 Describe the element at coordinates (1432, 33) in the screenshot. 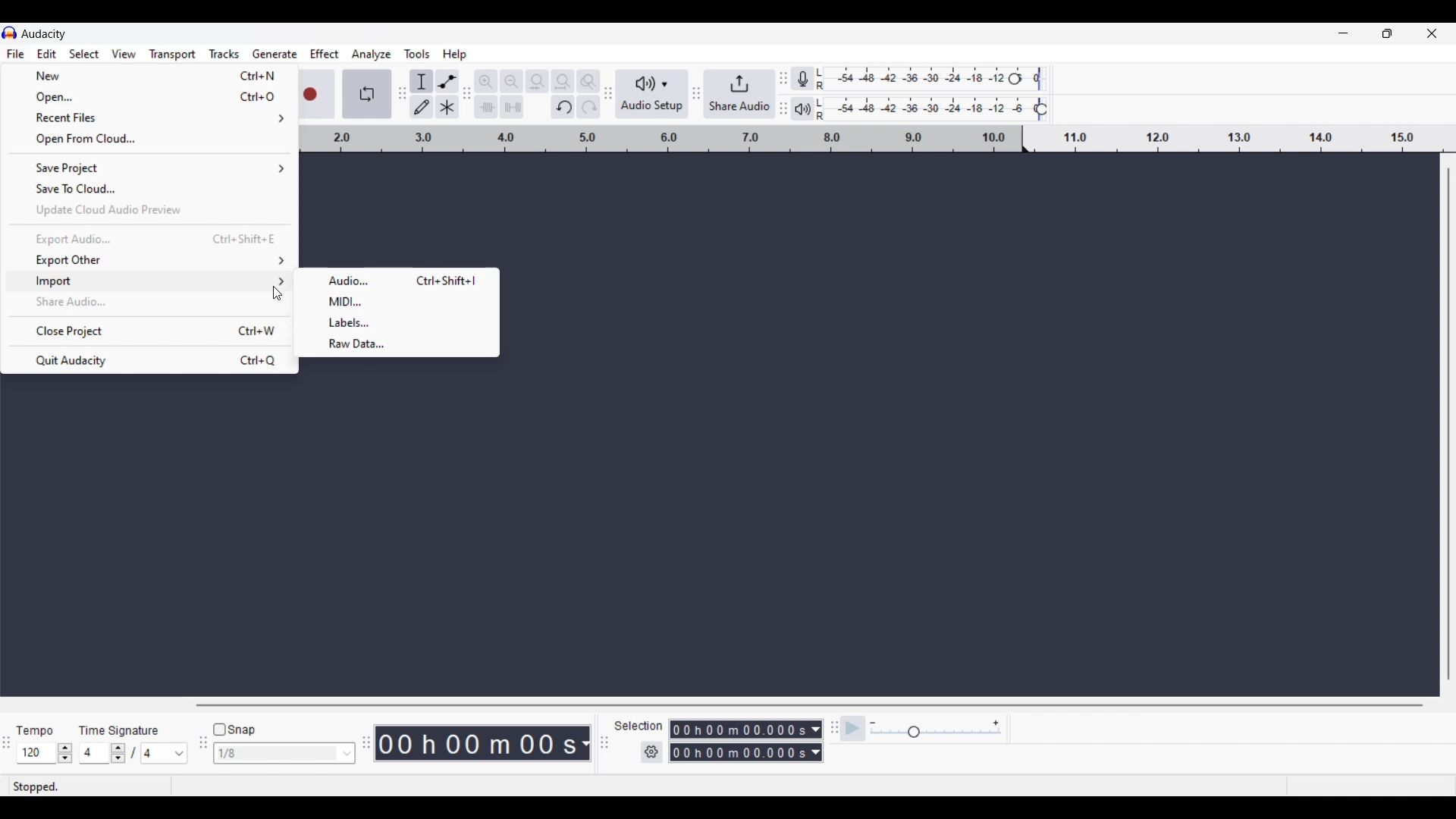

I see `Close interface` at that location.